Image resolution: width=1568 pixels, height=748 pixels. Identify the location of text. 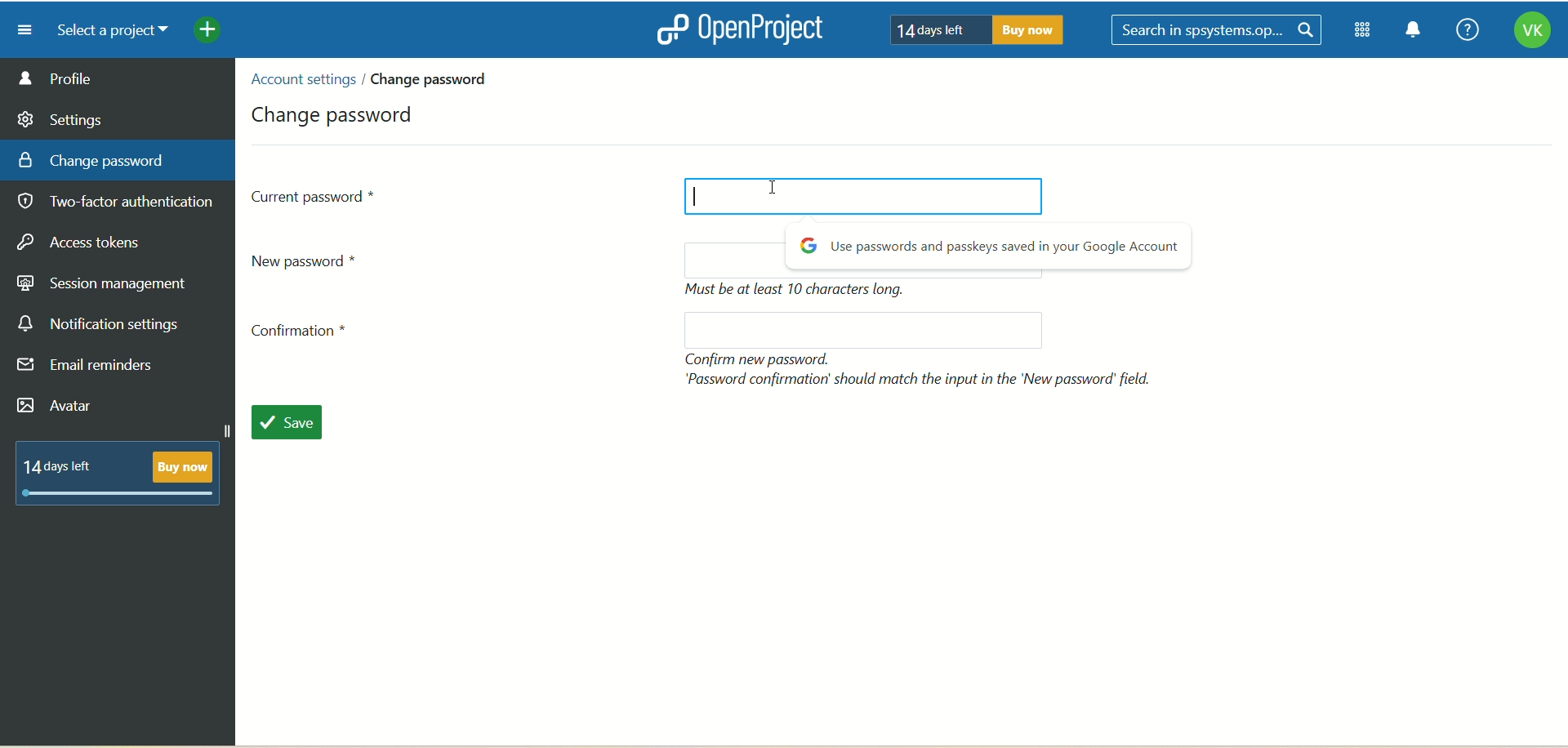
(125, 470).